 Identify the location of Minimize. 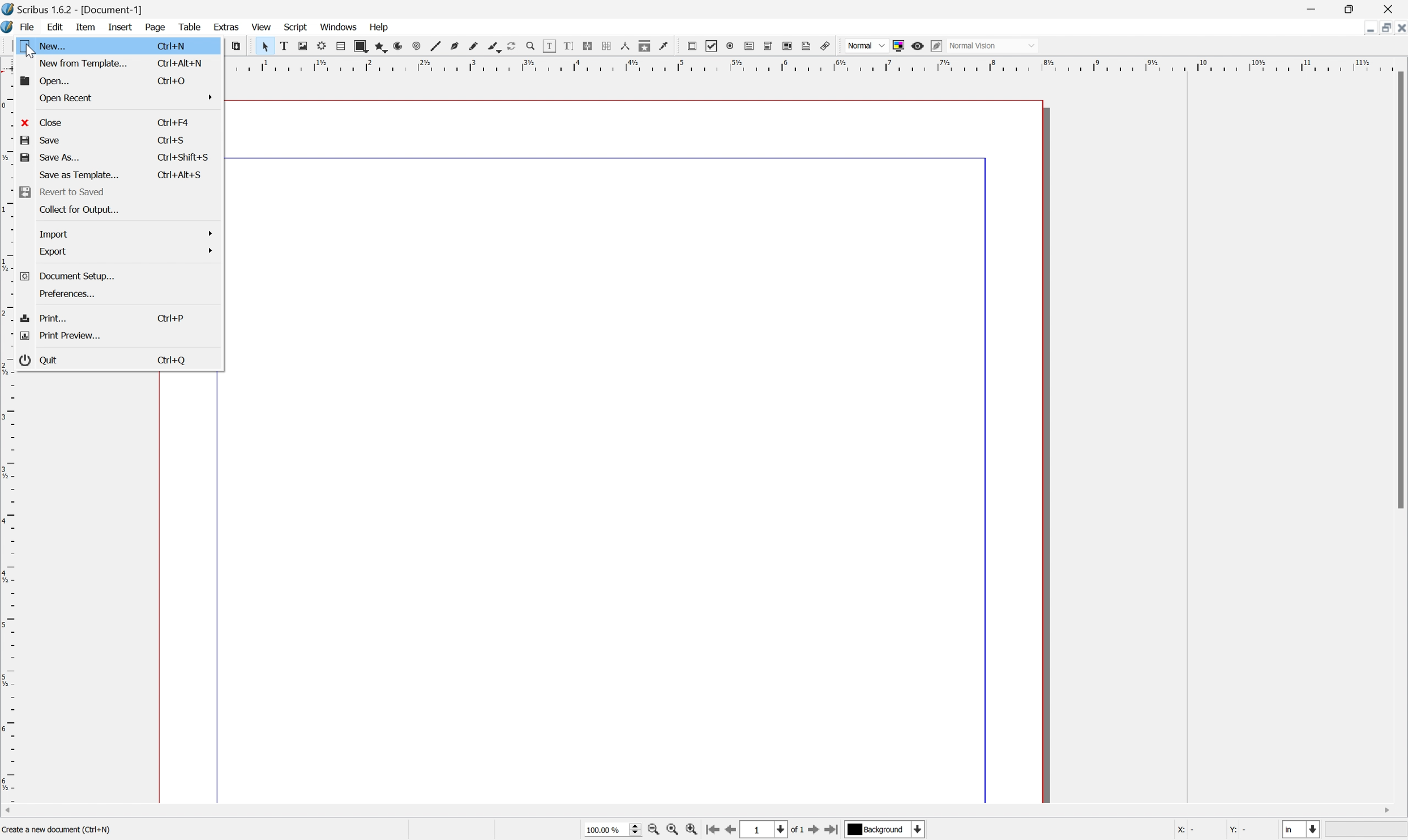
(1315, 8).